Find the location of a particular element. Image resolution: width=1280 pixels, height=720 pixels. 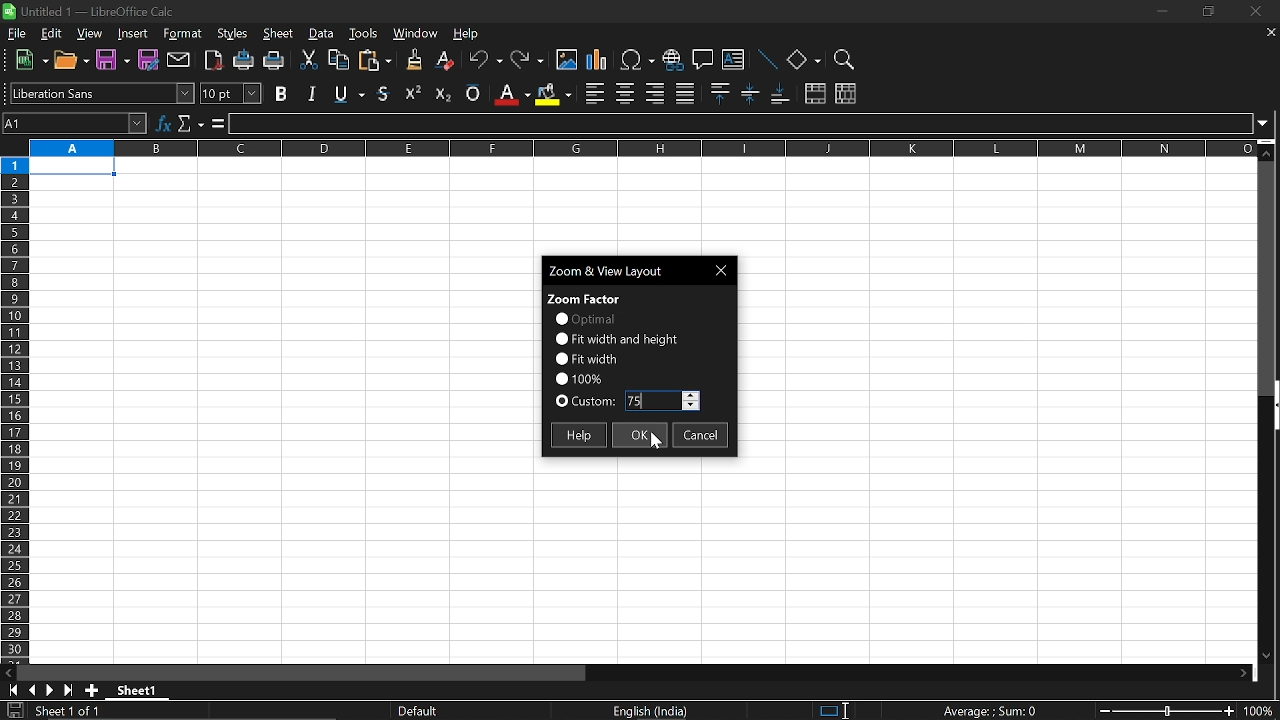

horizontal scrollbar is located at coordinates (306, 673).